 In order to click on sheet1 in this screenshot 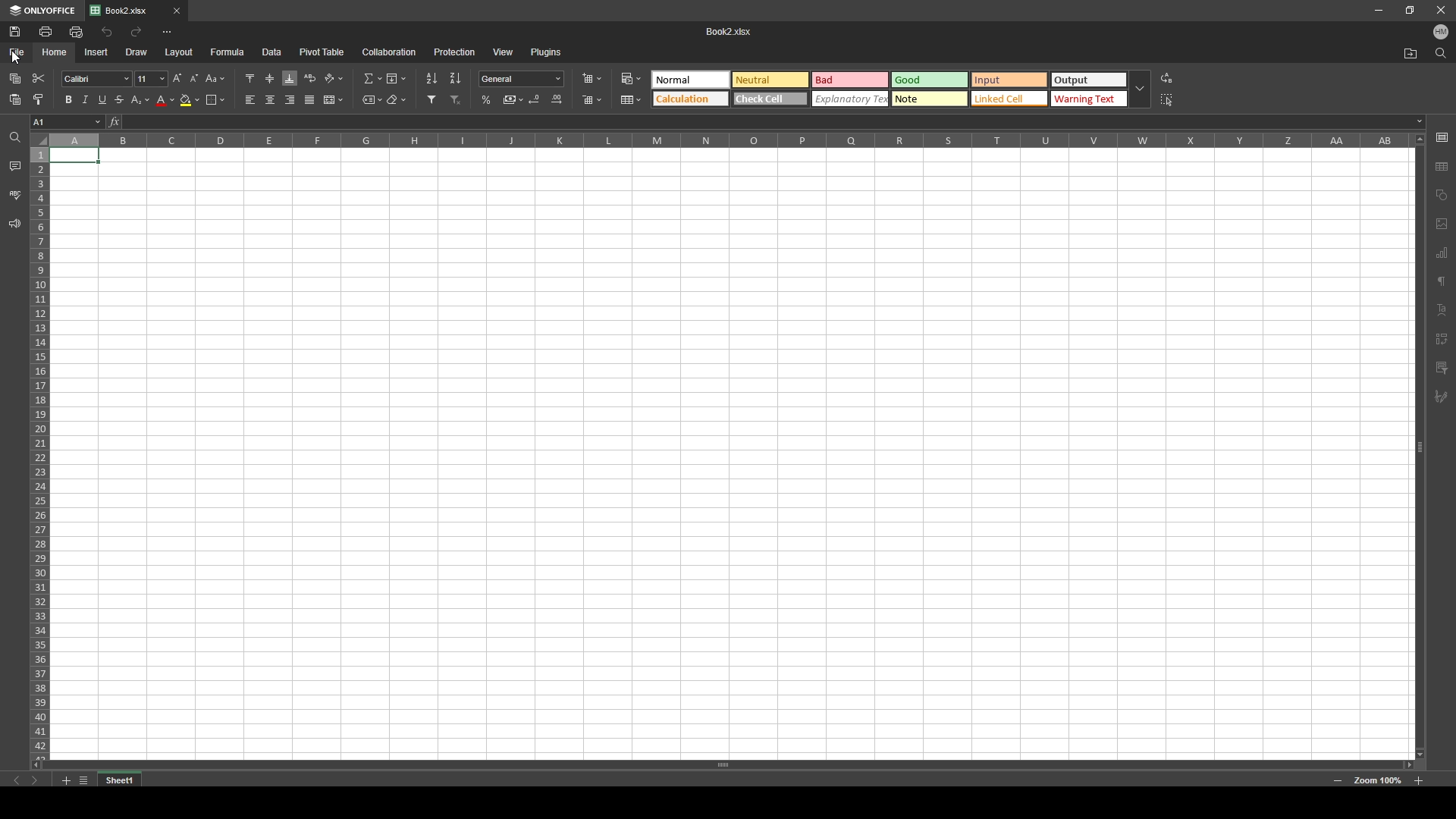, I will do `click(121, 780)`.